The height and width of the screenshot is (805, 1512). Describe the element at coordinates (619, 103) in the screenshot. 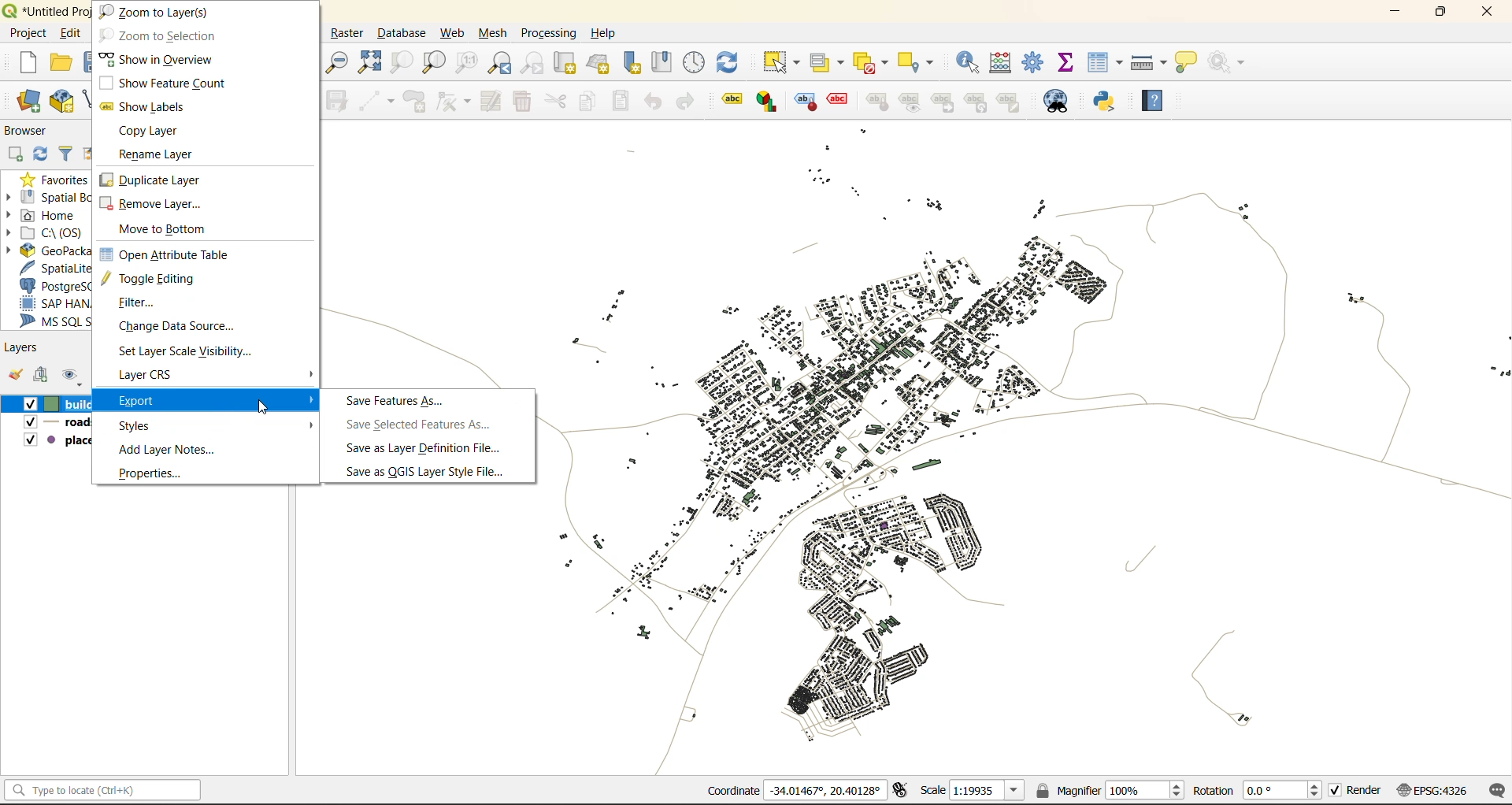

I see `paste` at that location.